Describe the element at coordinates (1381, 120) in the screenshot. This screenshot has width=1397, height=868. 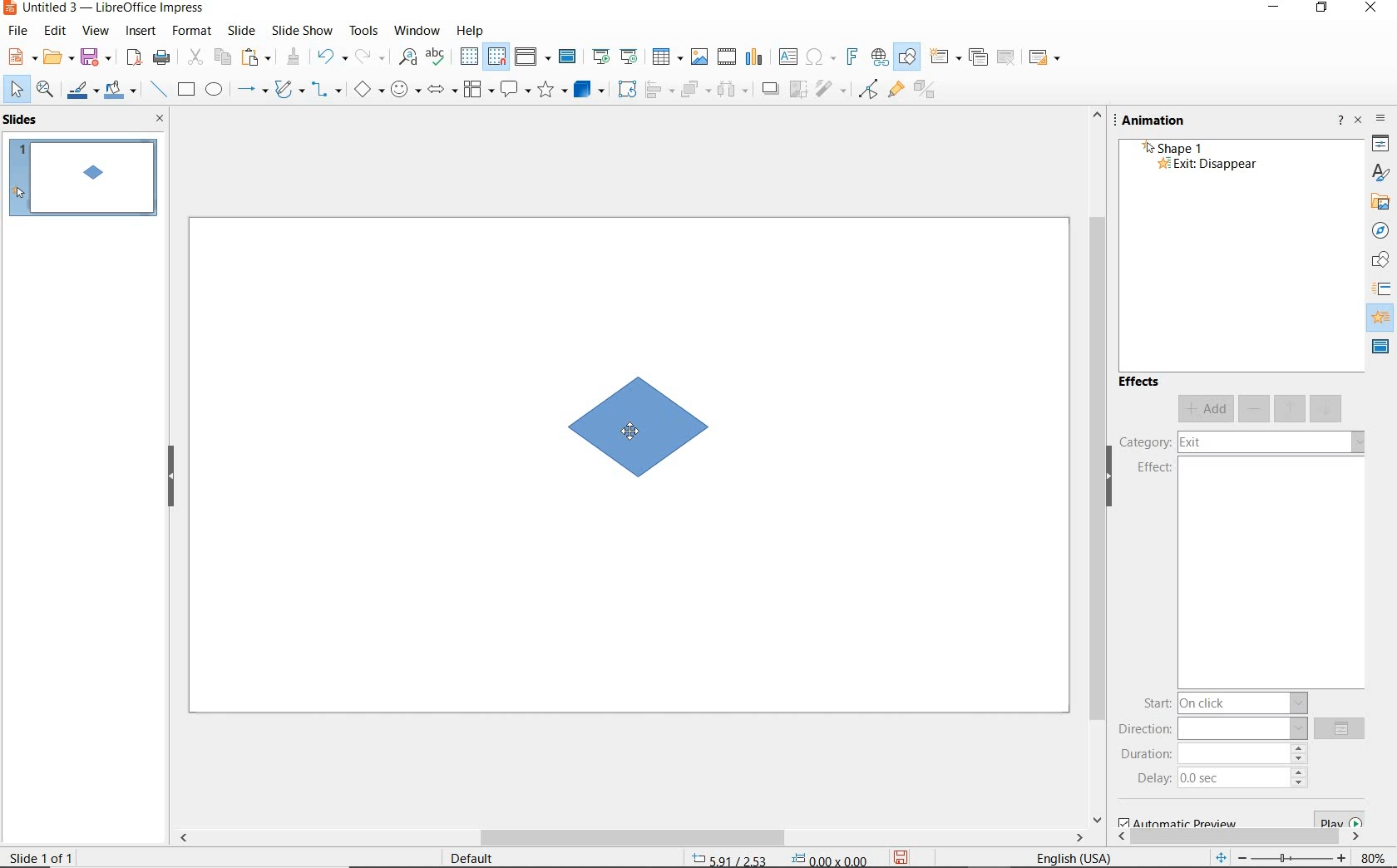
I see `sidebar settings` at that location.